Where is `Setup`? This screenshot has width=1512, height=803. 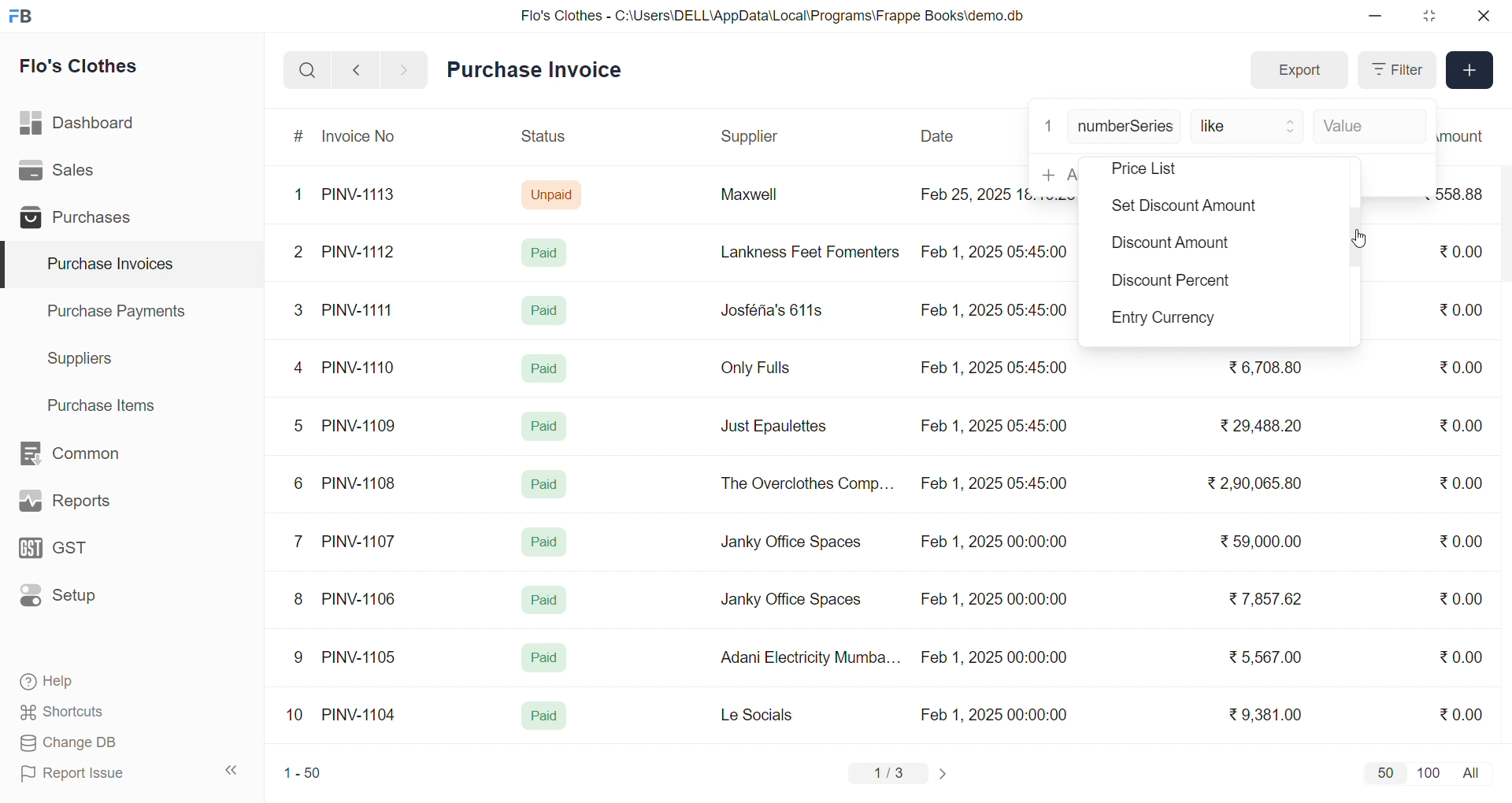 Setup is located at coordinates (82, 601).